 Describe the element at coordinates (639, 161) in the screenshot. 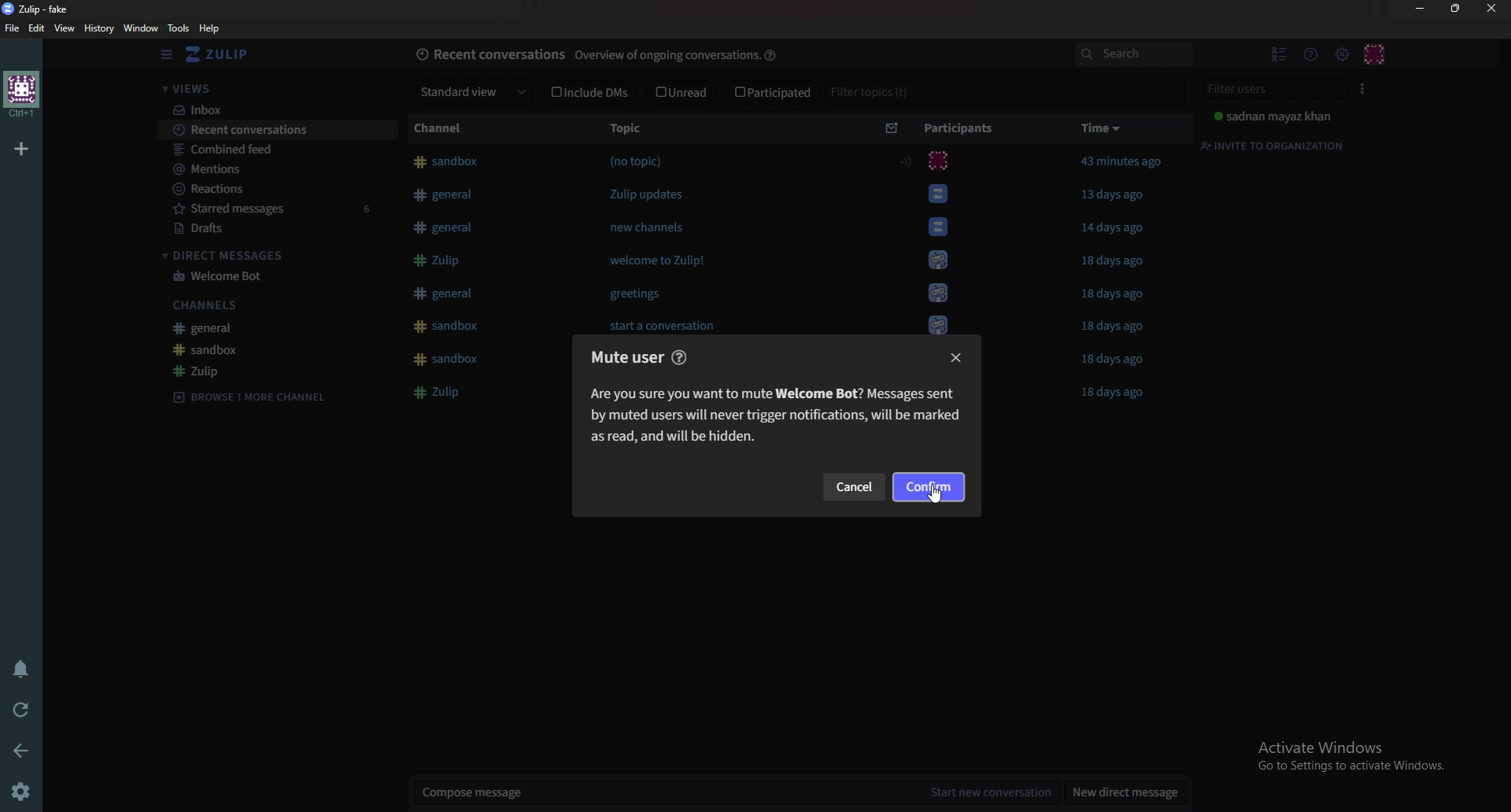

I see `(no topic)` at that location.